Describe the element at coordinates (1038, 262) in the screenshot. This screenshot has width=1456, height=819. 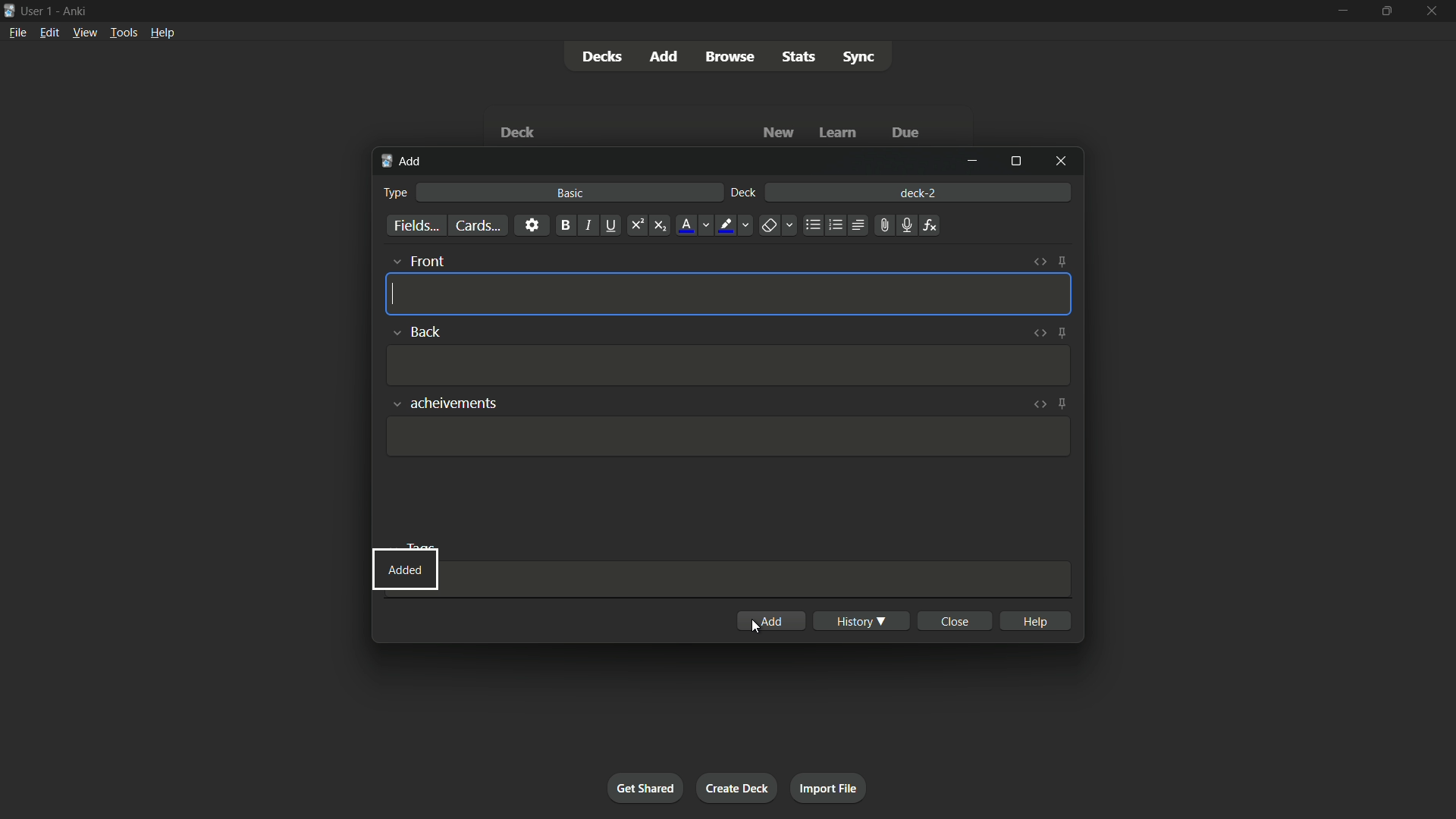
I see `toggle html editor` at that location.